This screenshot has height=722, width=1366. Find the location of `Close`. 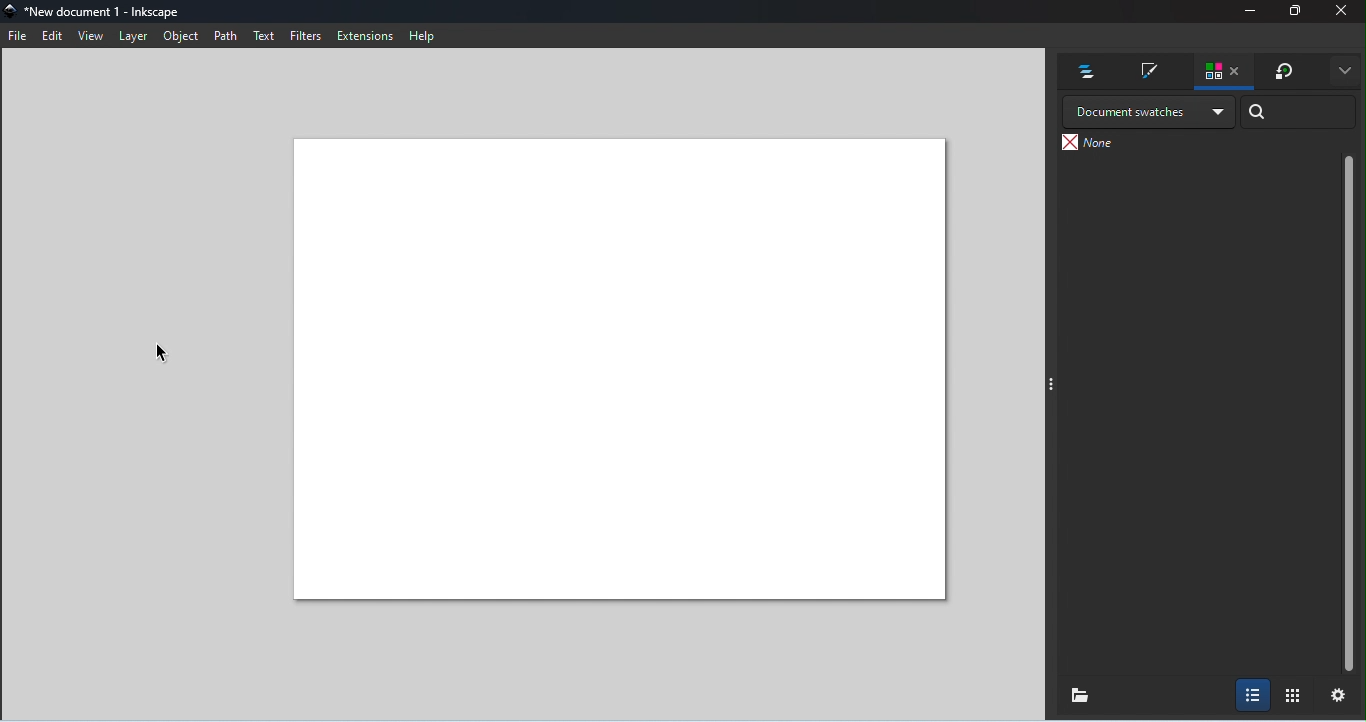

Close is located at coordinates (1346, 9).